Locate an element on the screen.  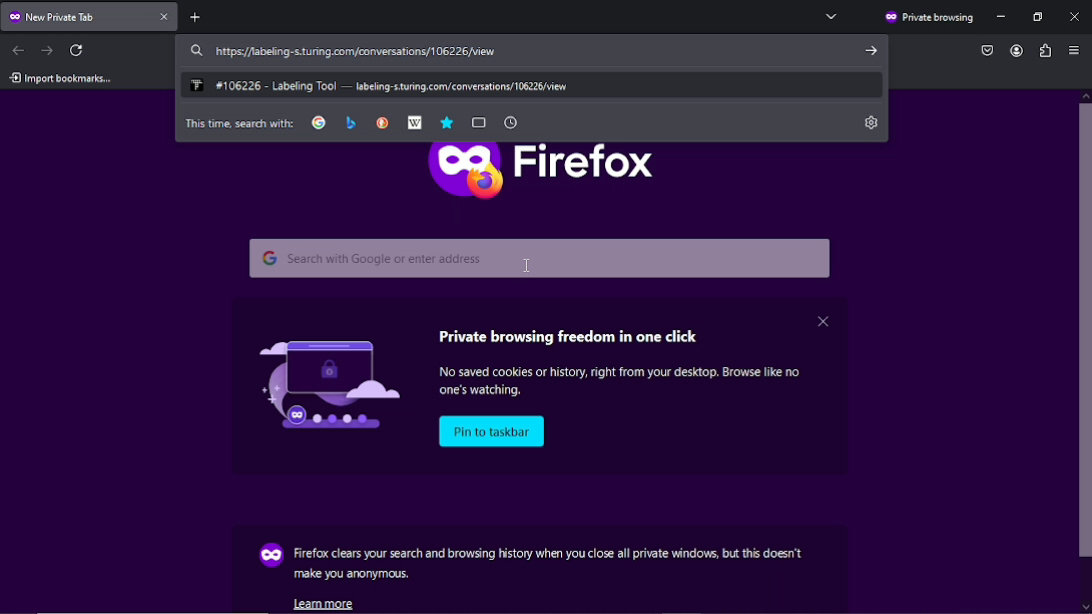
wikipedia is located at coordinates (414, 123).